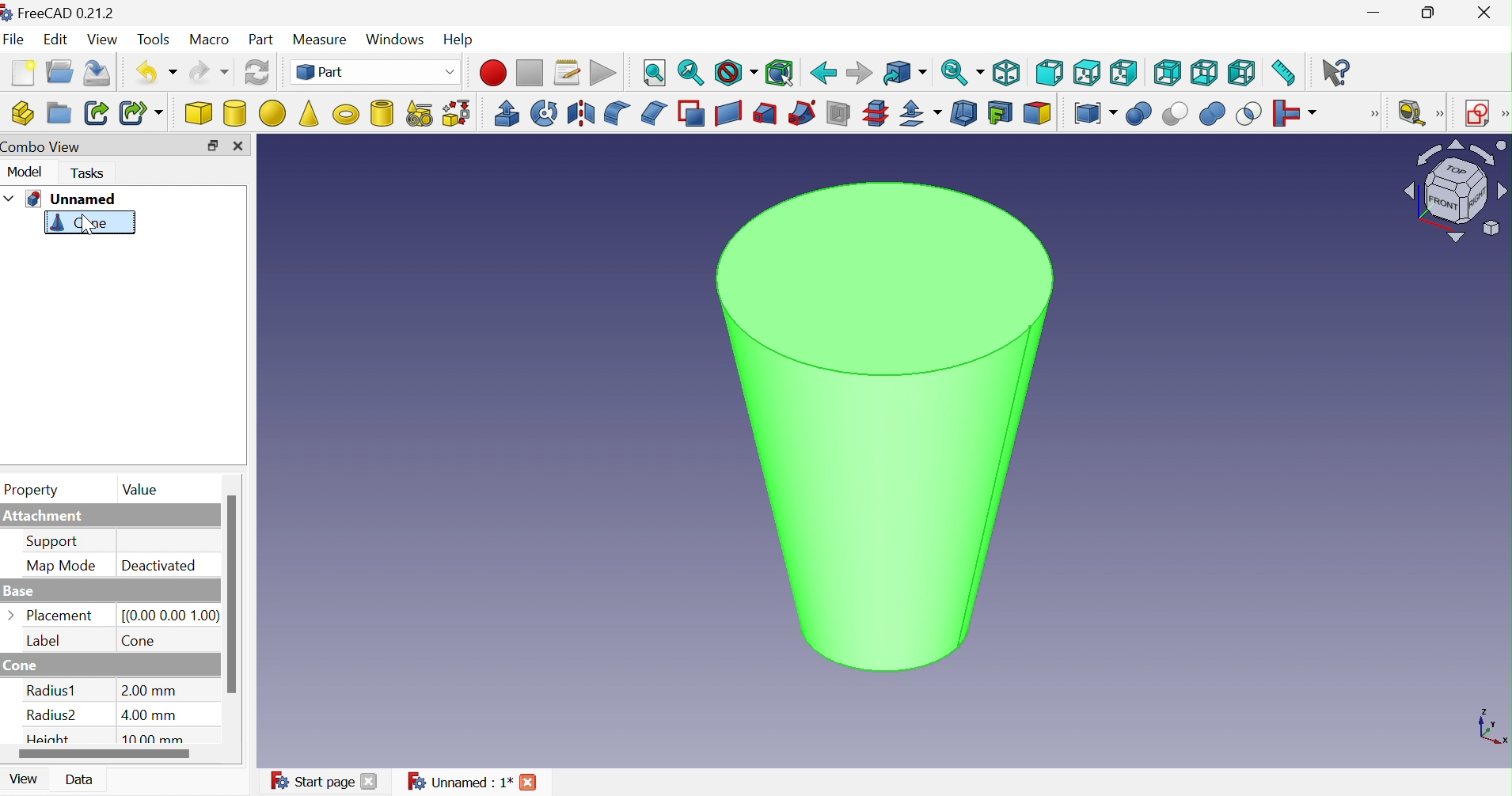 The image size is (1512, 796). Describe the element at coordinates (1095, 115) in the screenshot. I see `Compound tools` at that location.